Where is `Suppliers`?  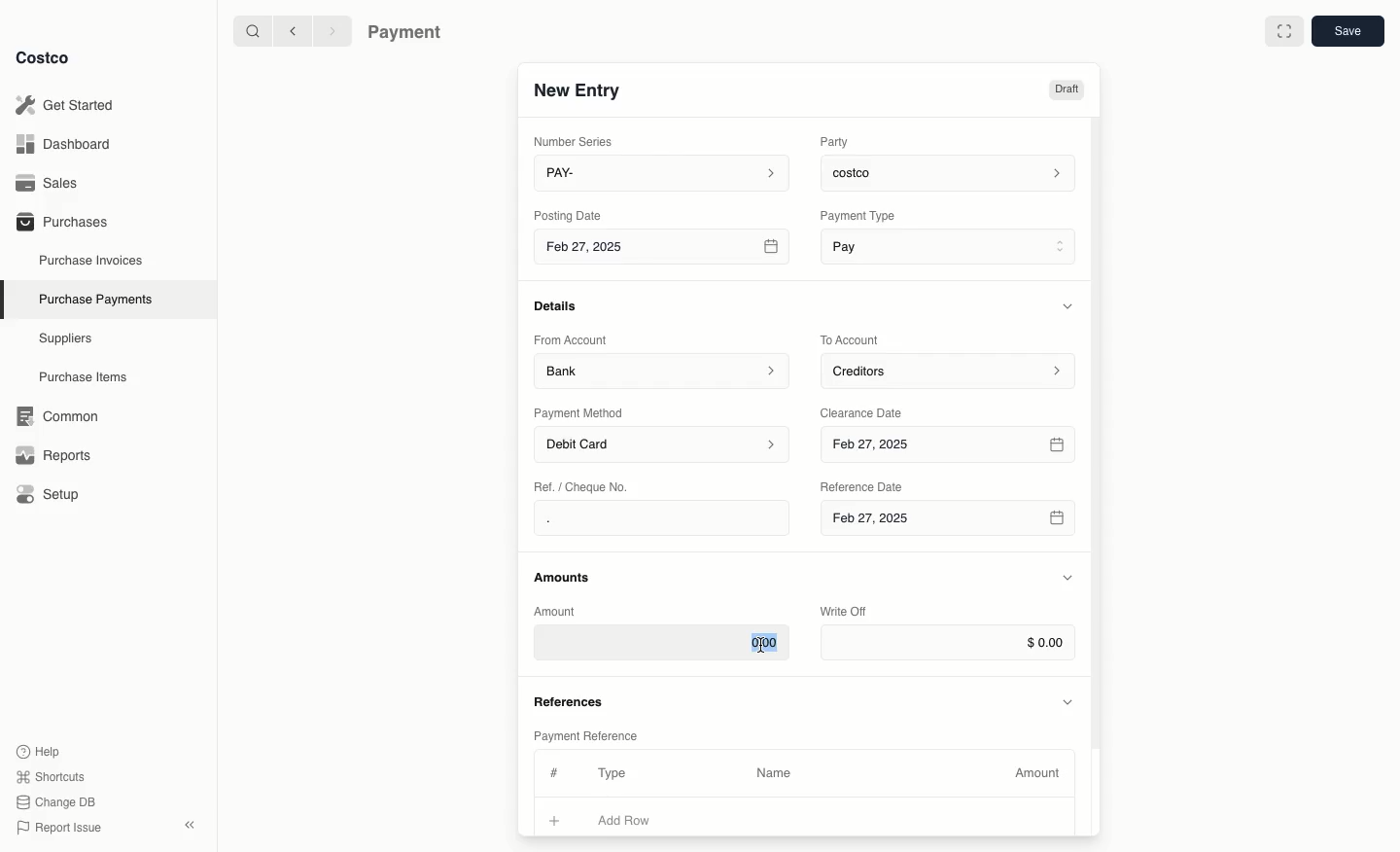 Suppliers is located at coordinates (66, 337).